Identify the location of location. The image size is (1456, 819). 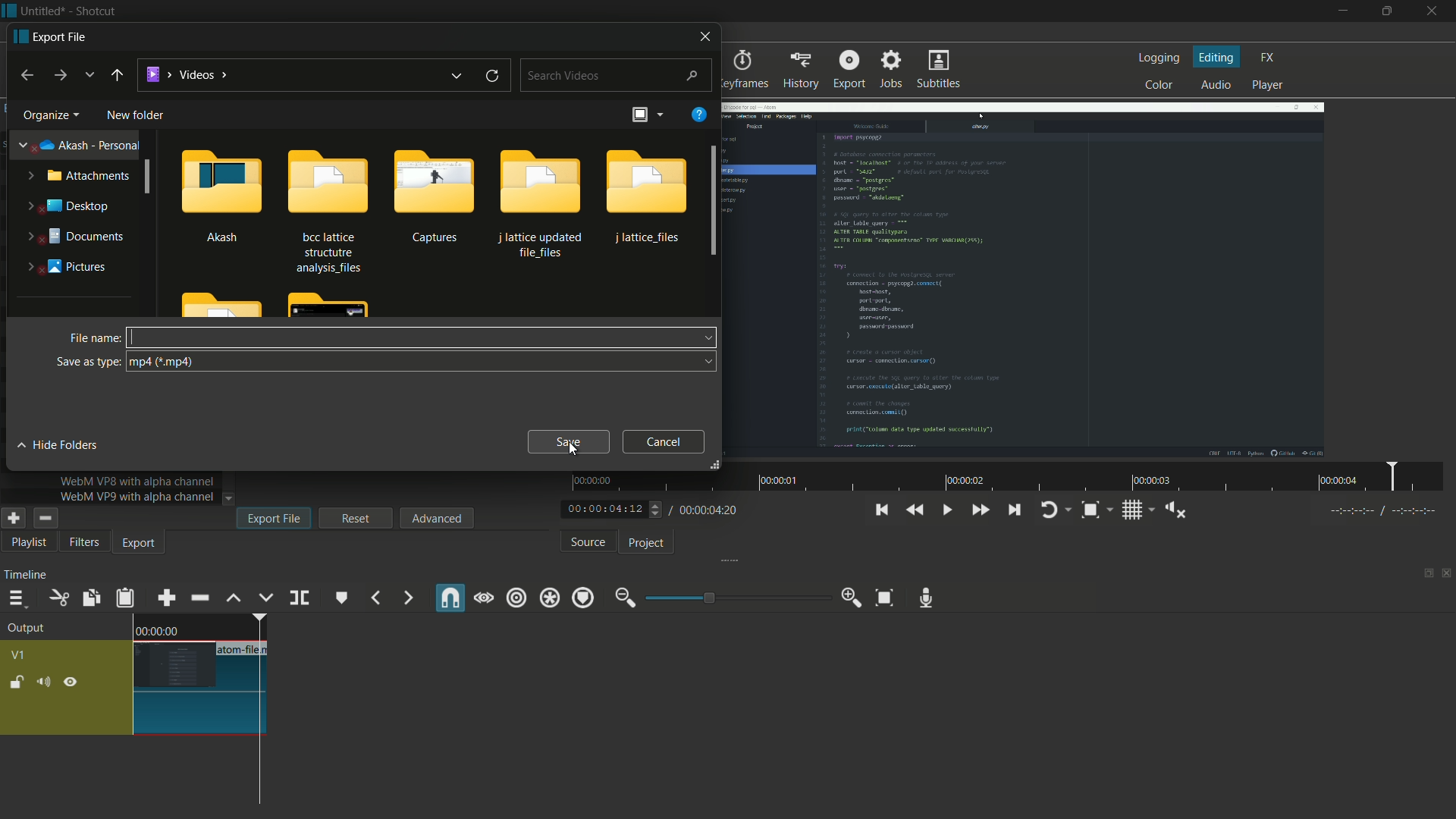
(185, 72).